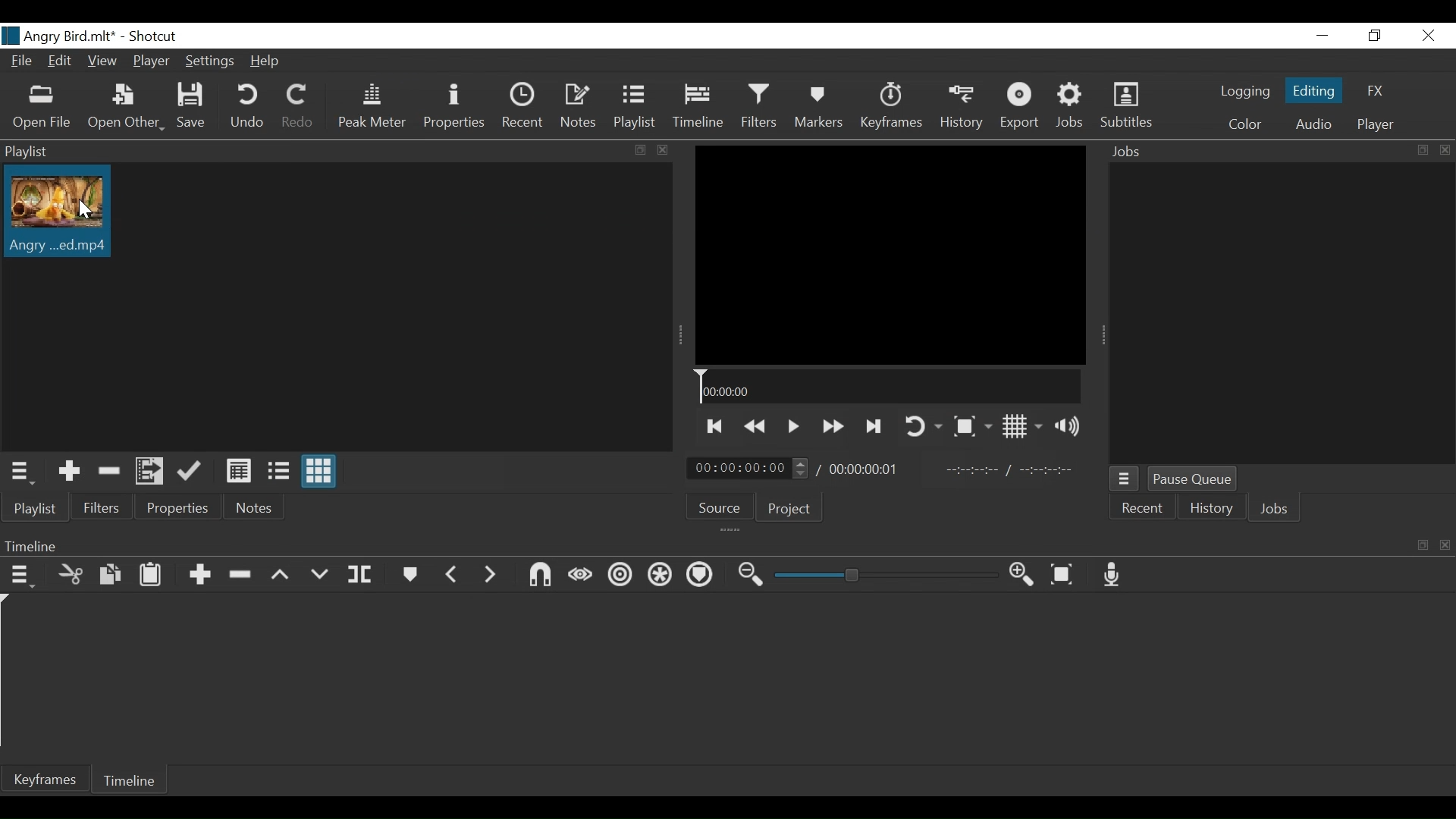 The image size is (1456, 819). Describe the element at coordinates (658, 576) in the screenshot. I see `Ripple all tracks` at that location.